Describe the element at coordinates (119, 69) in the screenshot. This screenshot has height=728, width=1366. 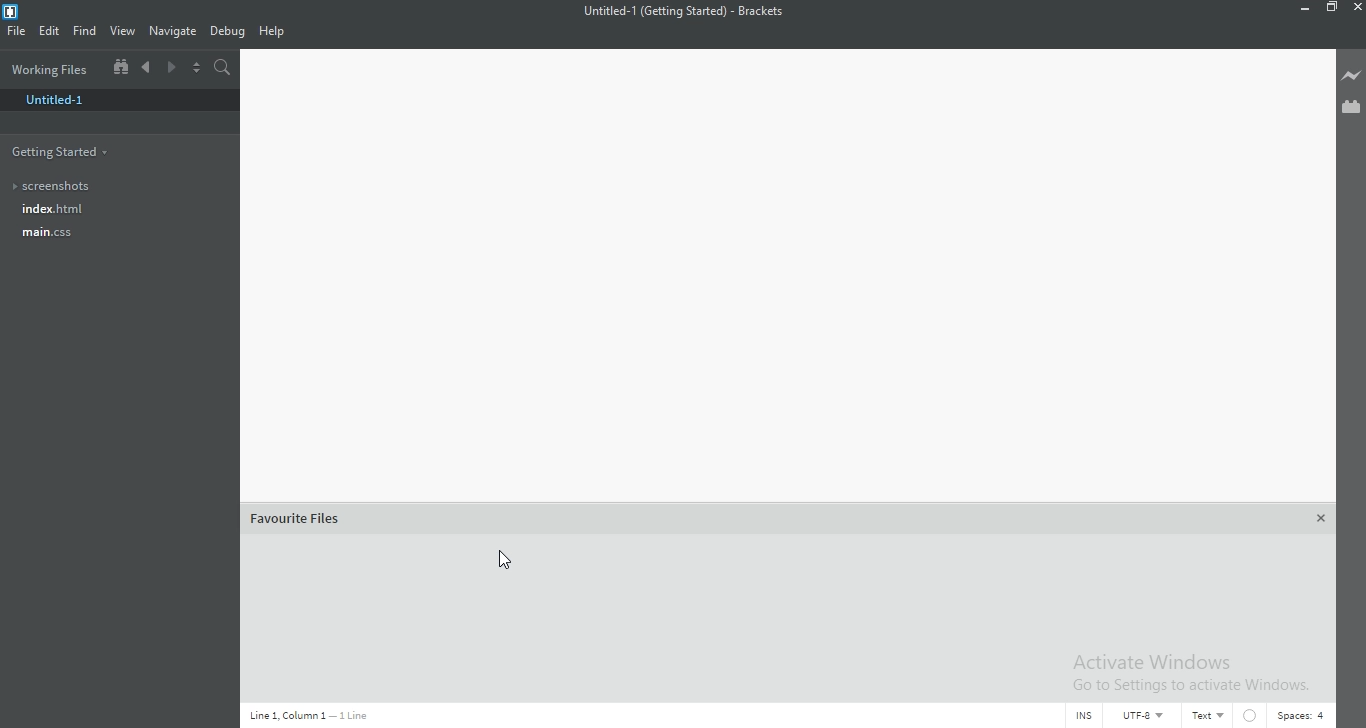
I see `Show file tree` at that location.